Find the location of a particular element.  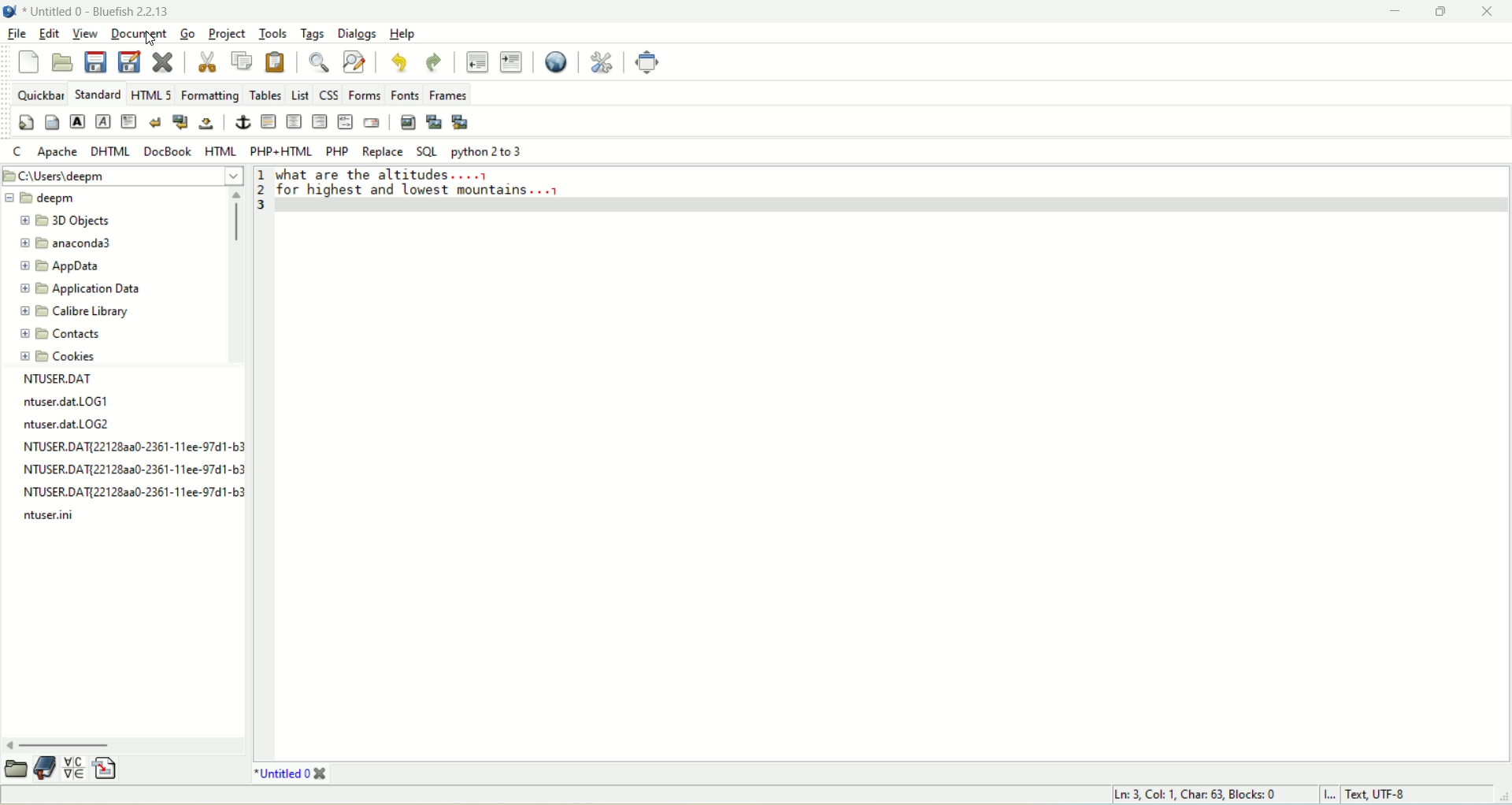

find is located at coordinates (319, 61).